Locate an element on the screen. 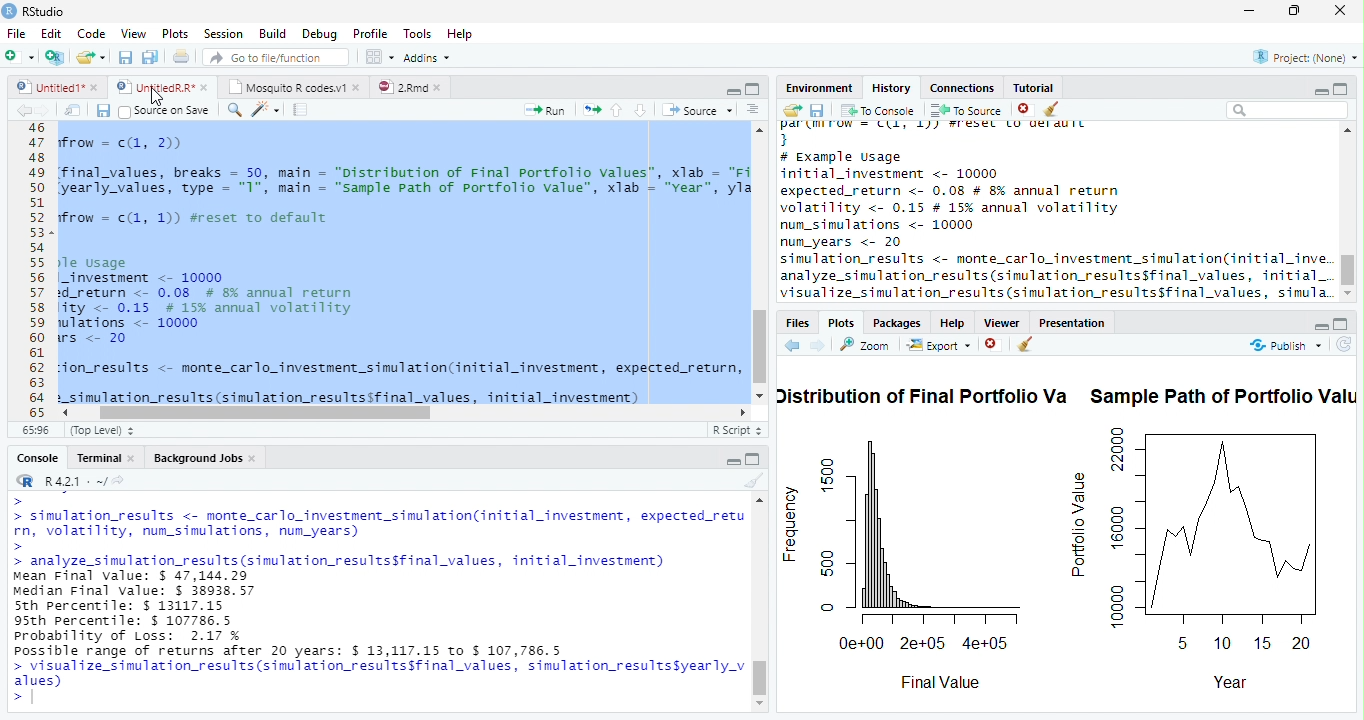 The image size is (1364, 720). Minimize is located at coordinates (1253, 12).